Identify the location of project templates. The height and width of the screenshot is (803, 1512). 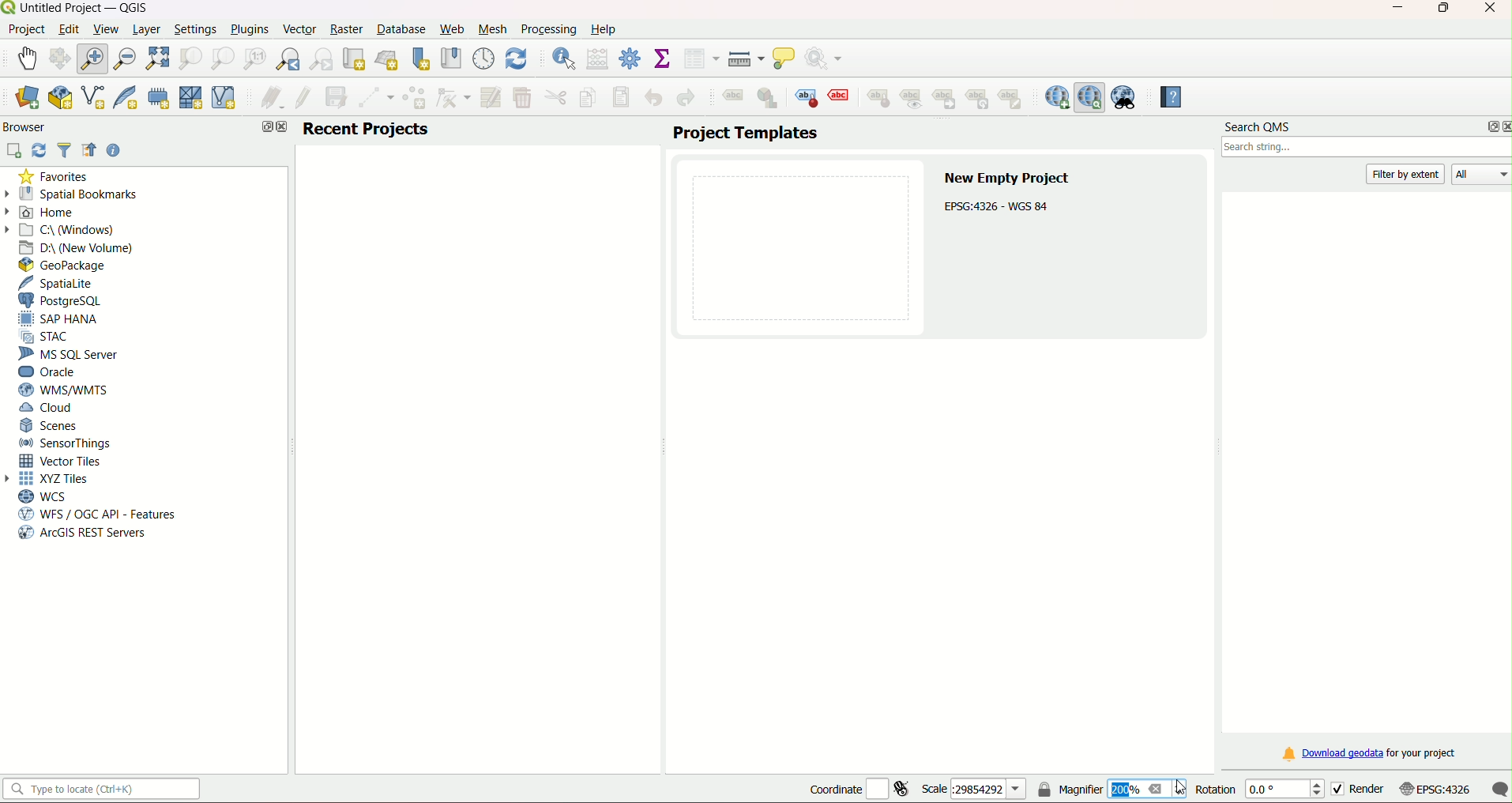
(744, 134).